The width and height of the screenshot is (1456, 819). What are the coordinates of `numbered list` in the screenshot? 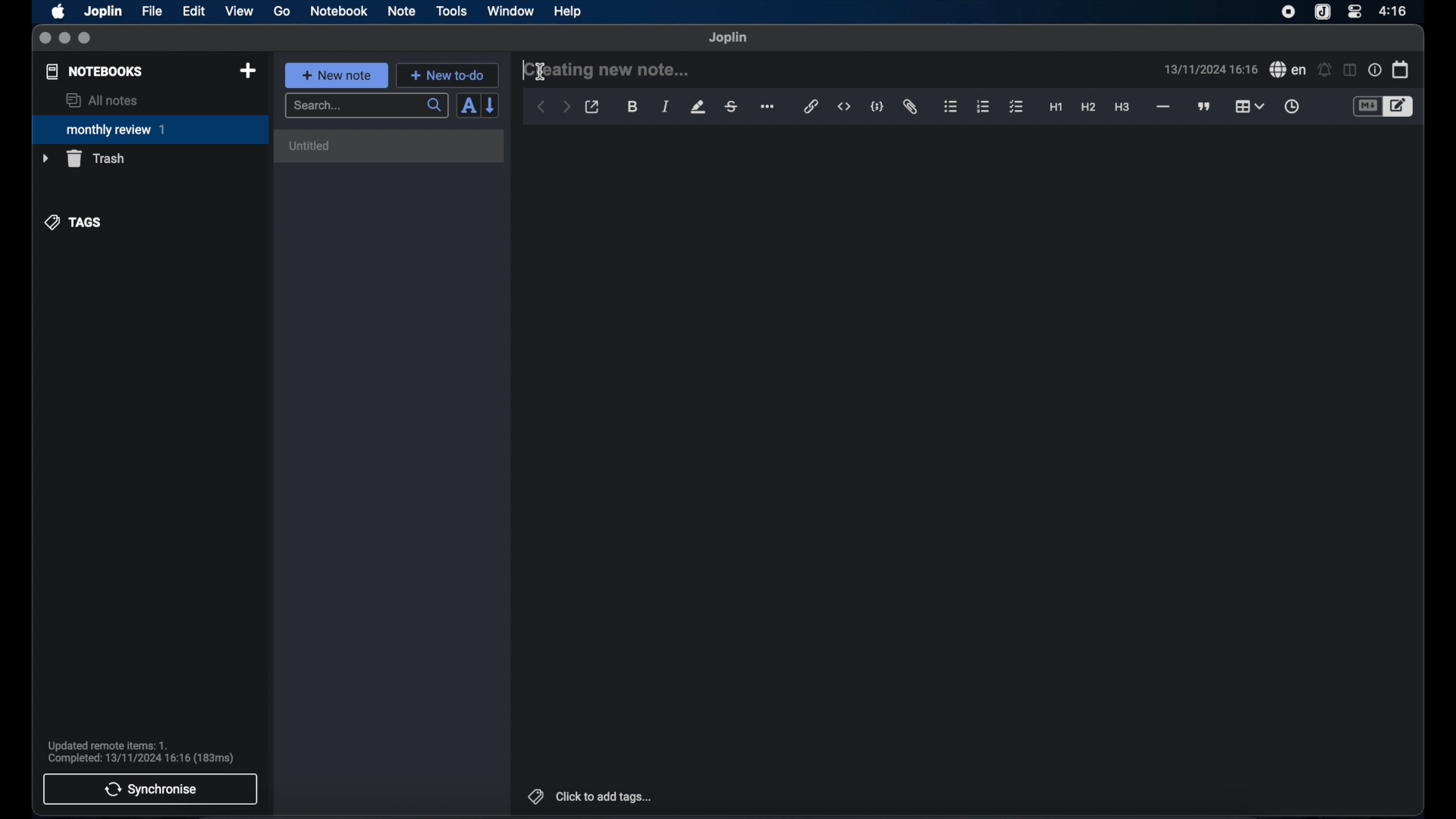 It's located at (983, 106).